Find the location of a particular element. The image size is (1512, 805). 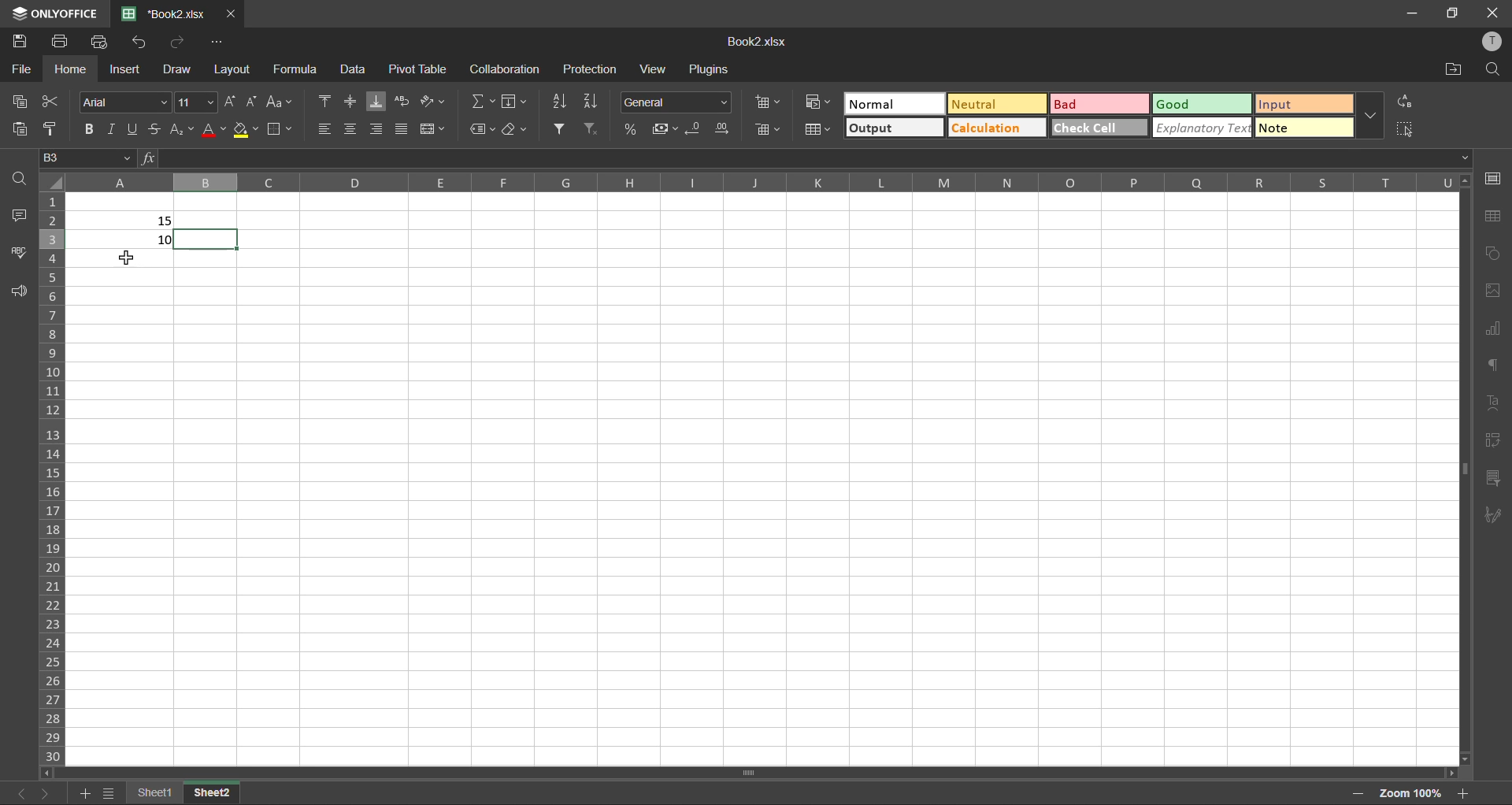

data is located at coordinates (351, 69).